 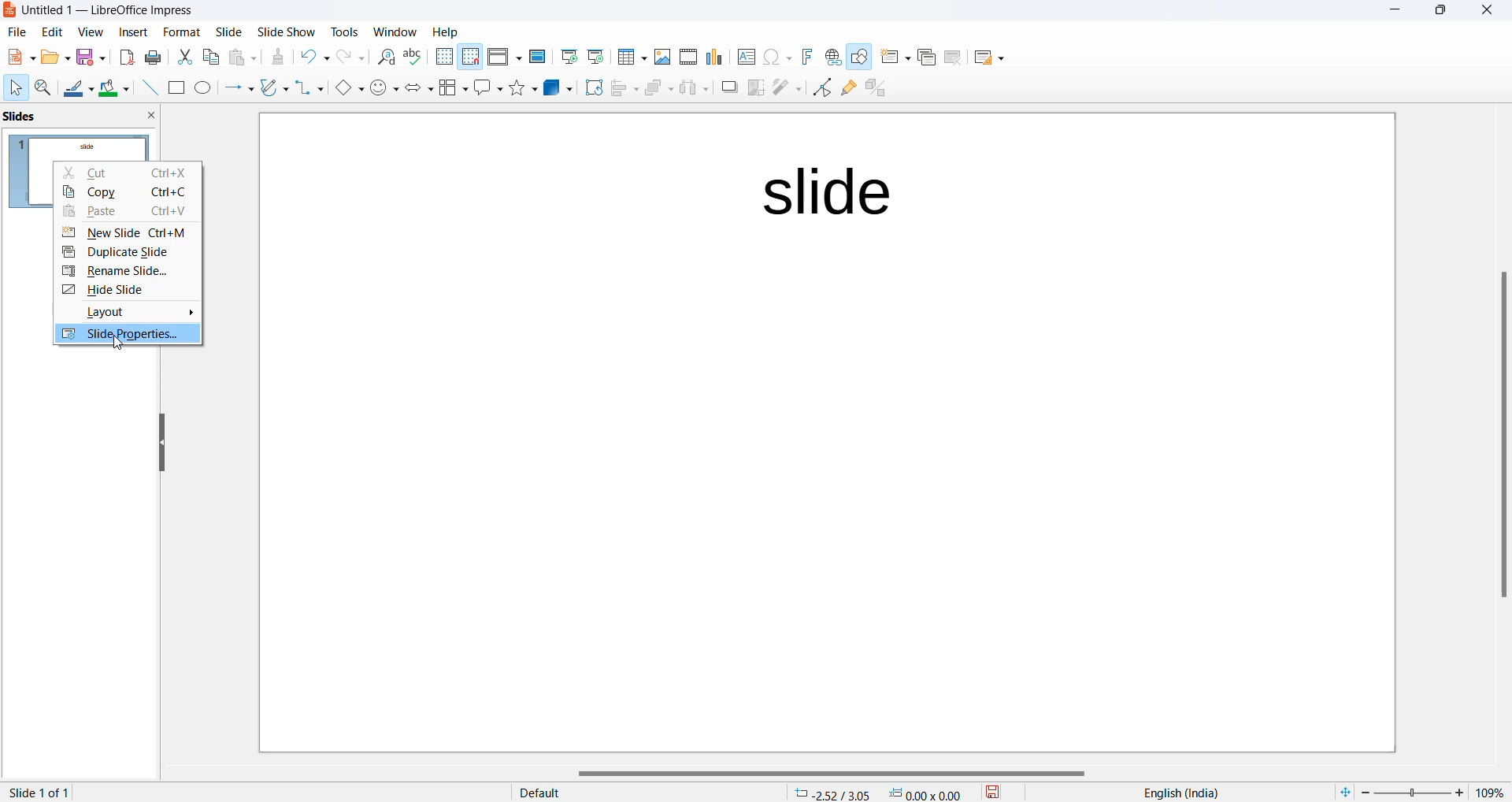 What do you see at coordinates (348, 89) in the screenshot?
I see `basic shapes` at bounding box center [348, 89].